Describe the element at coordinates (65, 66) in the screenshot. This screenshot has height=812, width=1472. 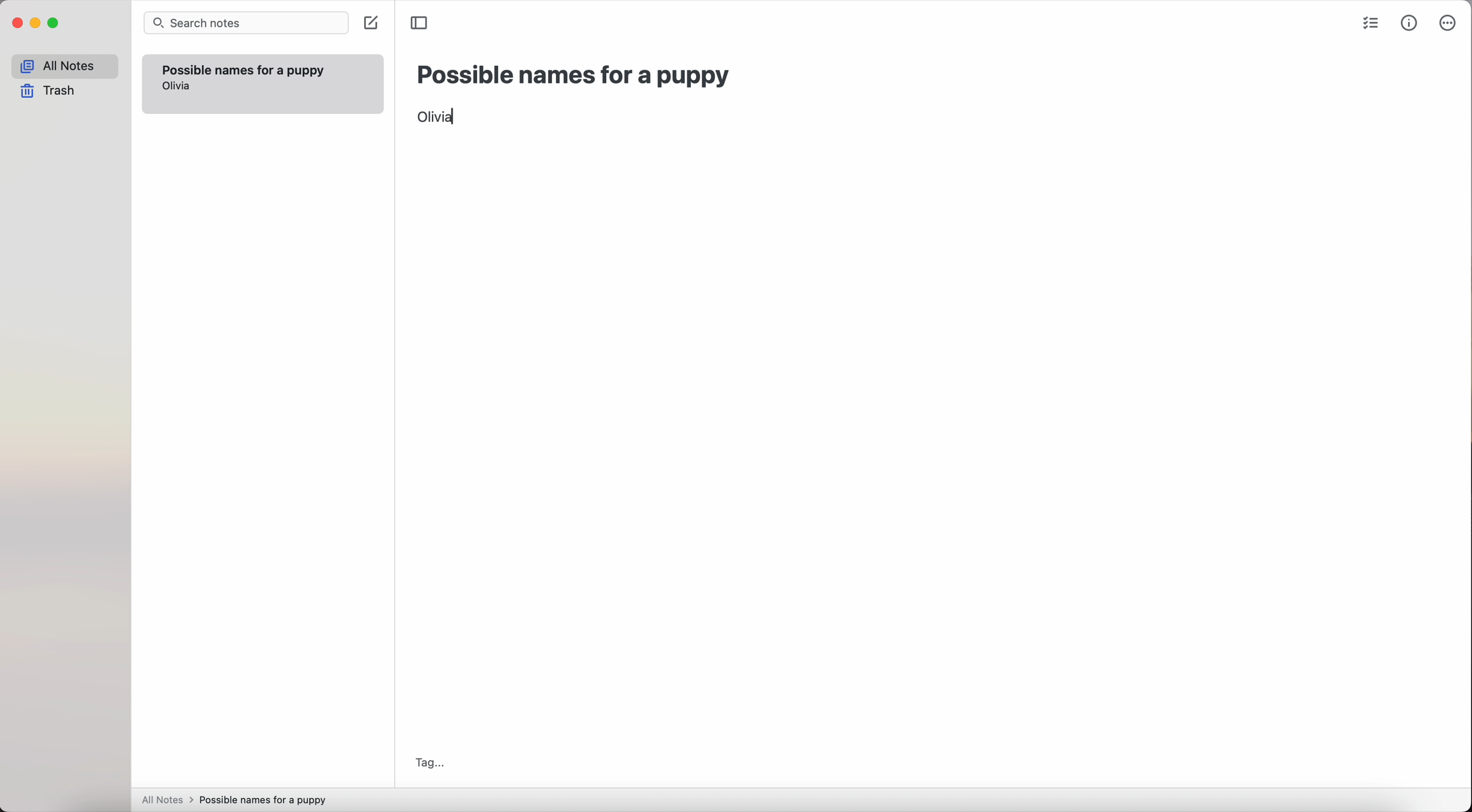
I see `all notes` at that location.